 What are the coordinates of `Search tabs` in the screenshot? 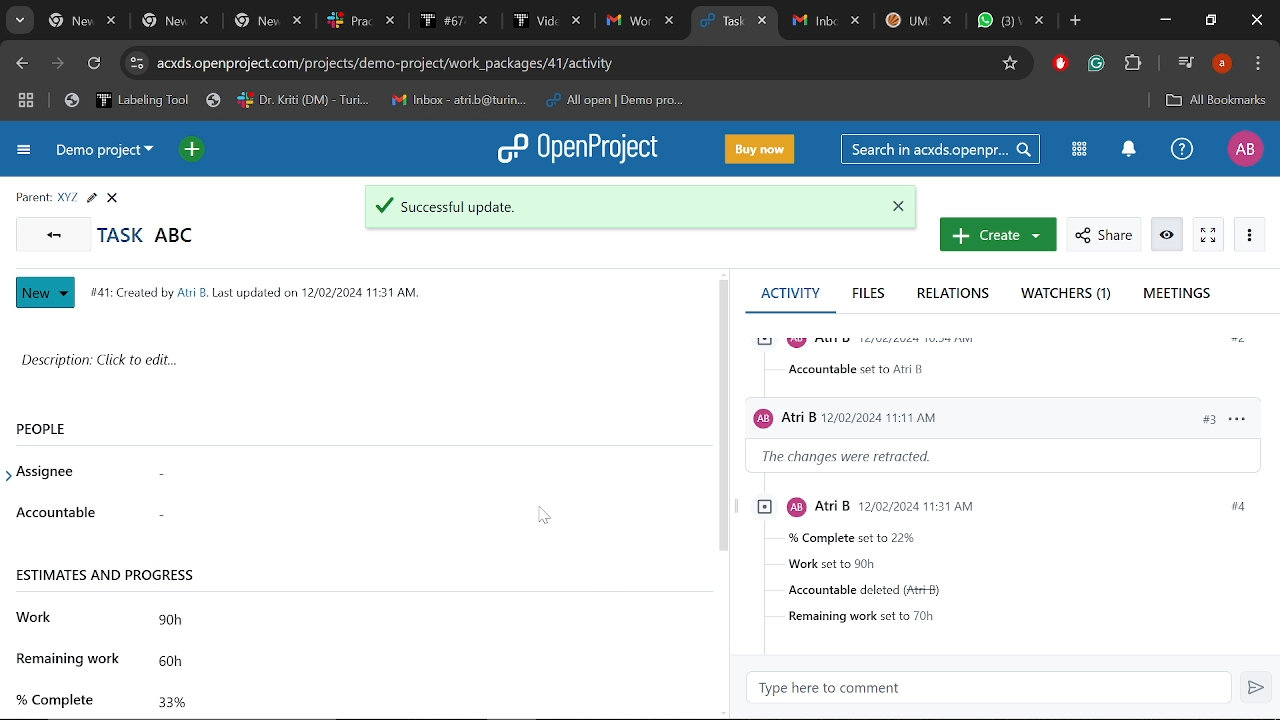 It's located at (22, 22).